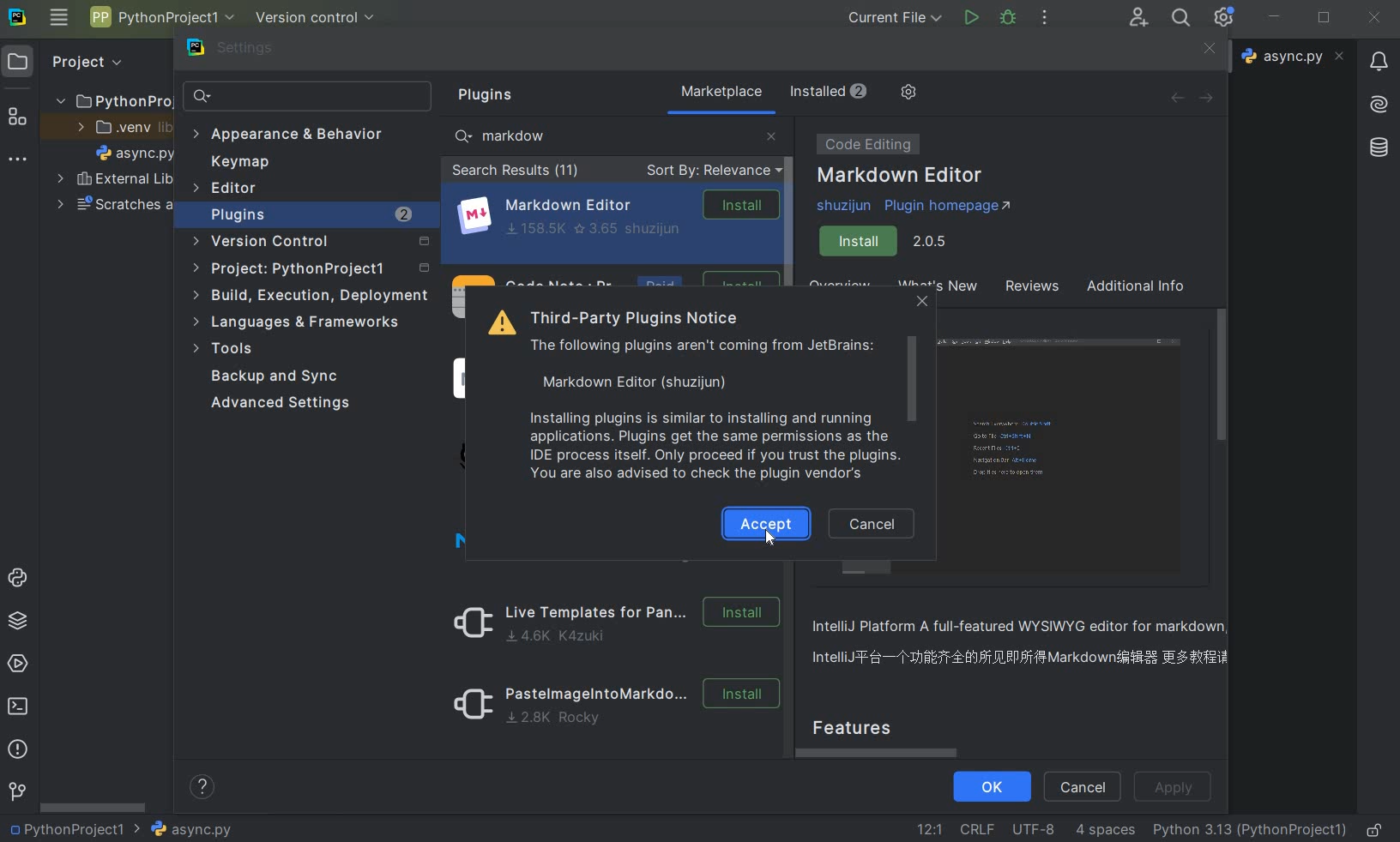 The width and height of the screenshot is (1400, 842). I want to click on build, execution, deployment, so click(311, 297).